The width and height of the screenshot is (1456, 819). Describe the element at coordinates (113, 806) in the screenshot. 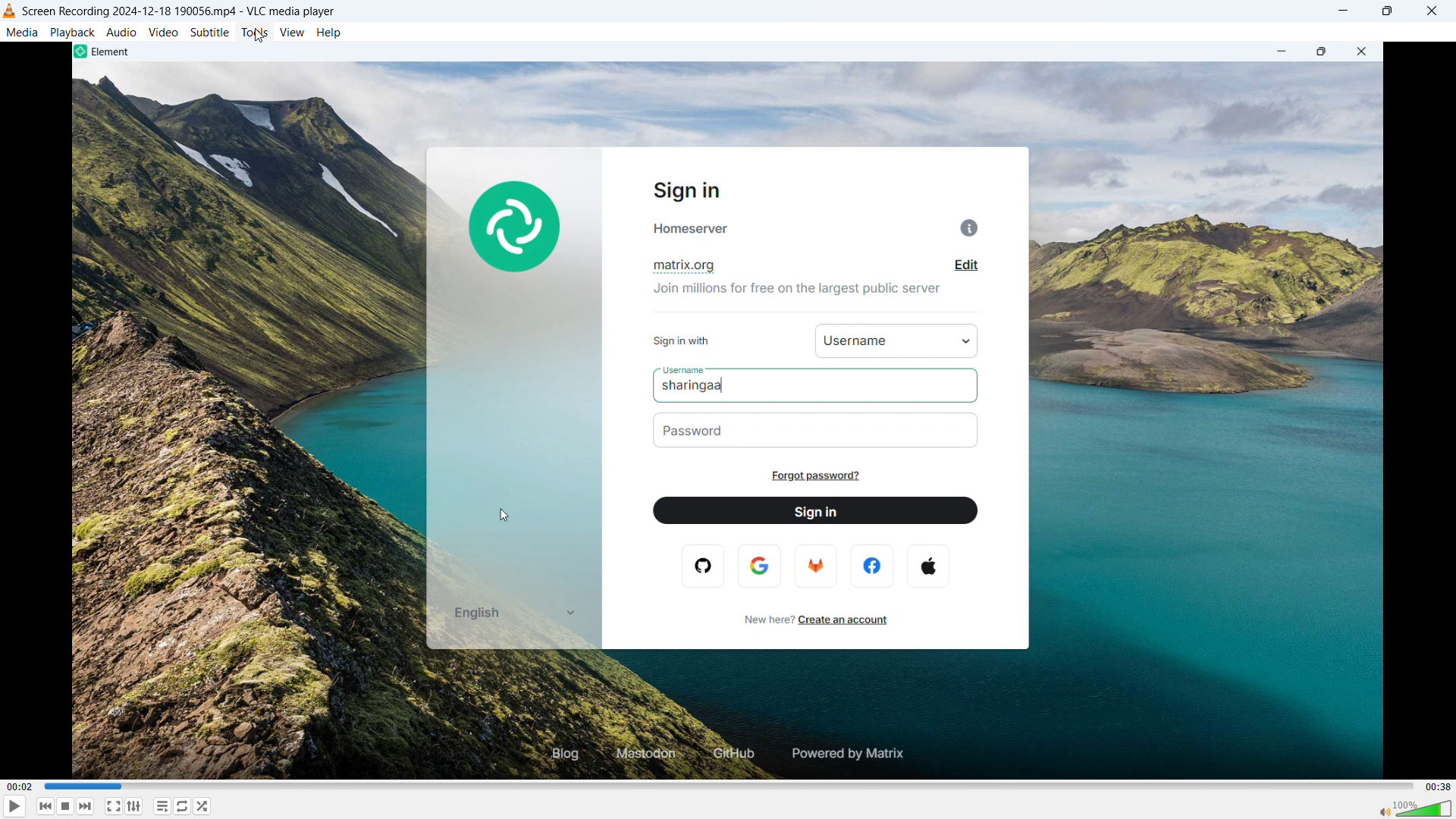

I see `fullscreen` at that location.